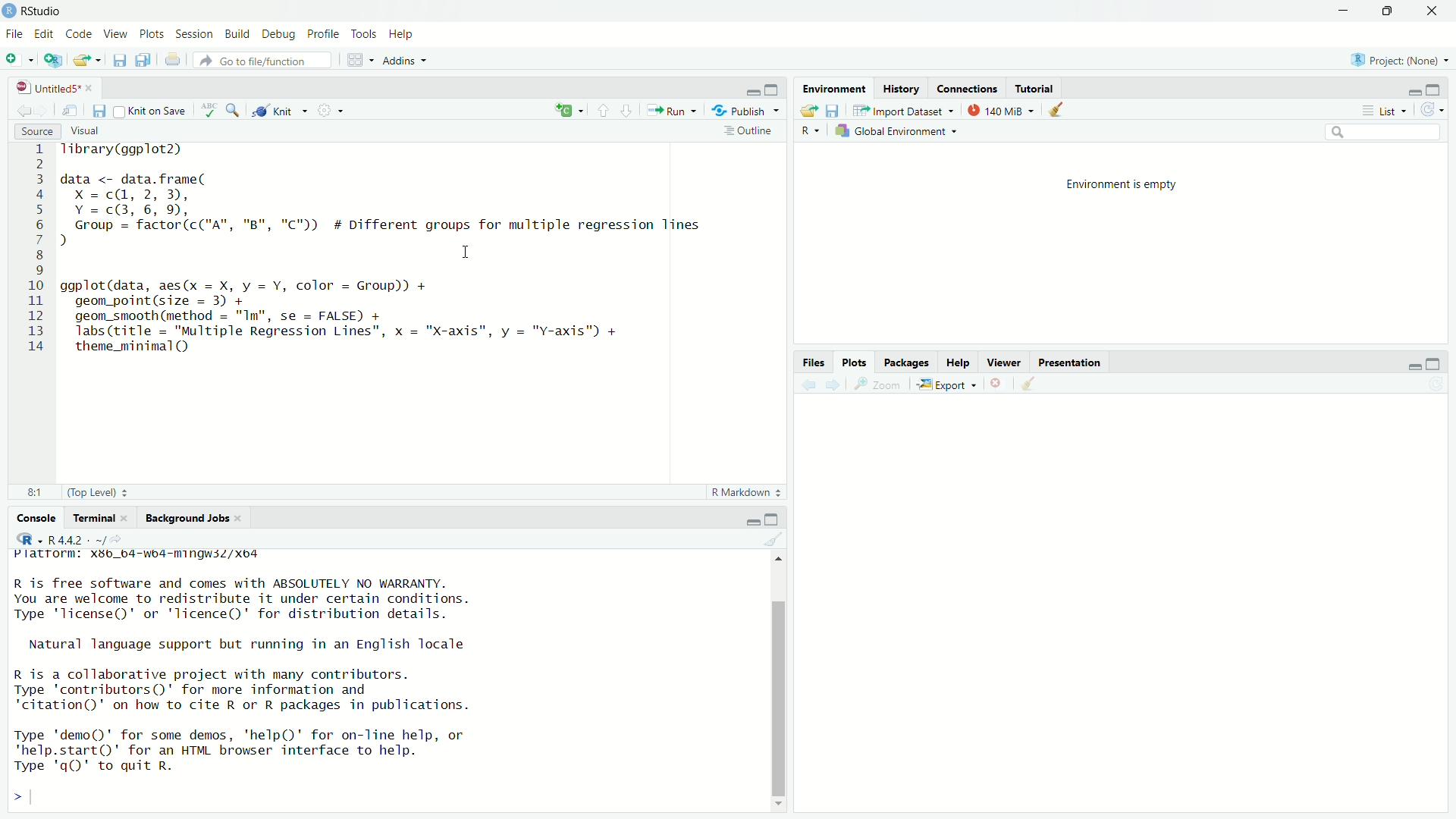 The image size is (1456, 819). Describe the element at coordinates (357, 61) in the screenshot. I see `grid` at that location.